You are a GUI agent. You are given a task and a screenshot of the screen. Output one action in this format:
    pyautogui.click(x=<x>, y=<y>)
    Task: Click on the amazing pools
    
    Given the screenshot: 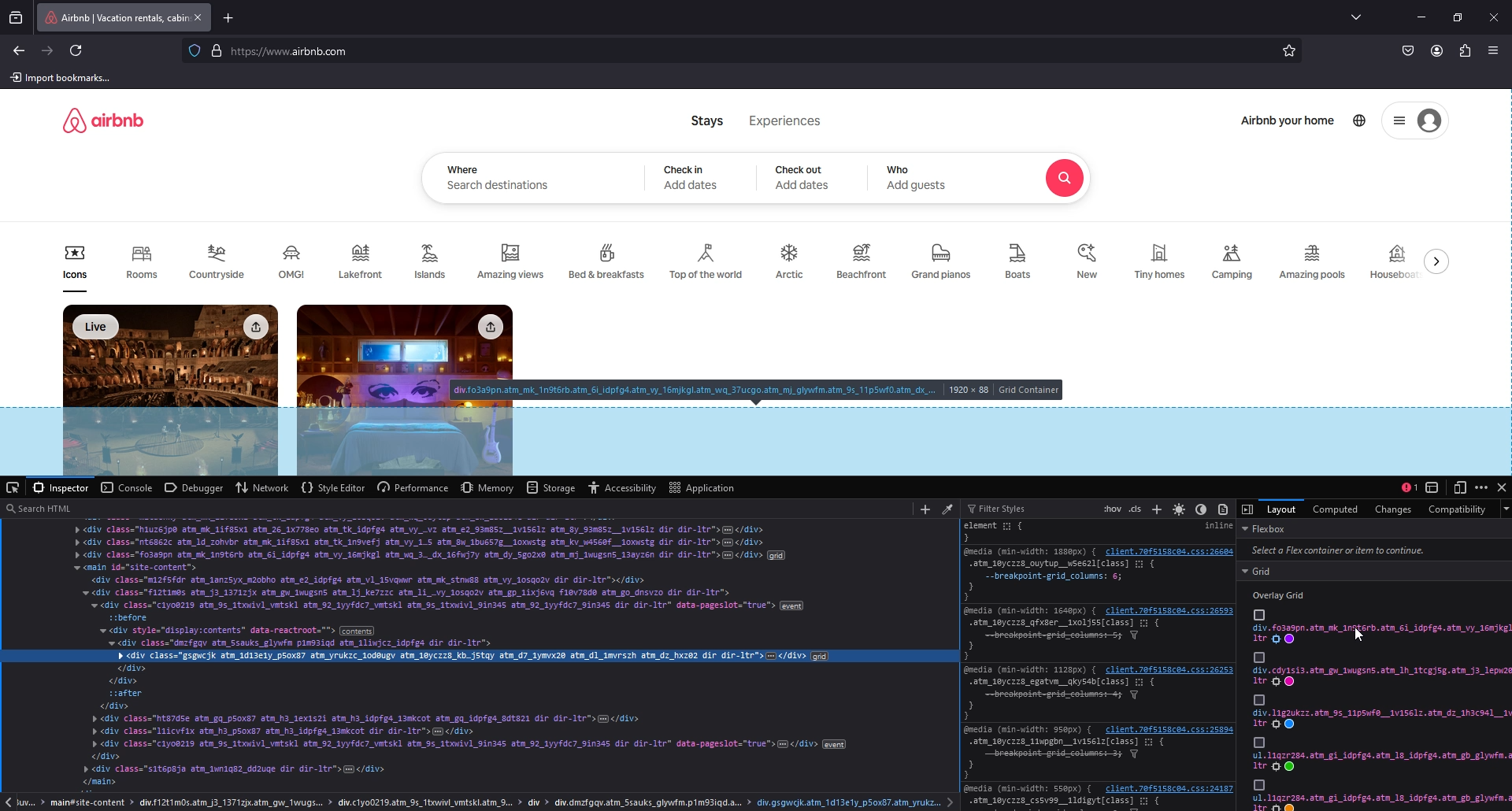 What is the action you would take?
    pyautogui.click(x=1315, y=262)
    